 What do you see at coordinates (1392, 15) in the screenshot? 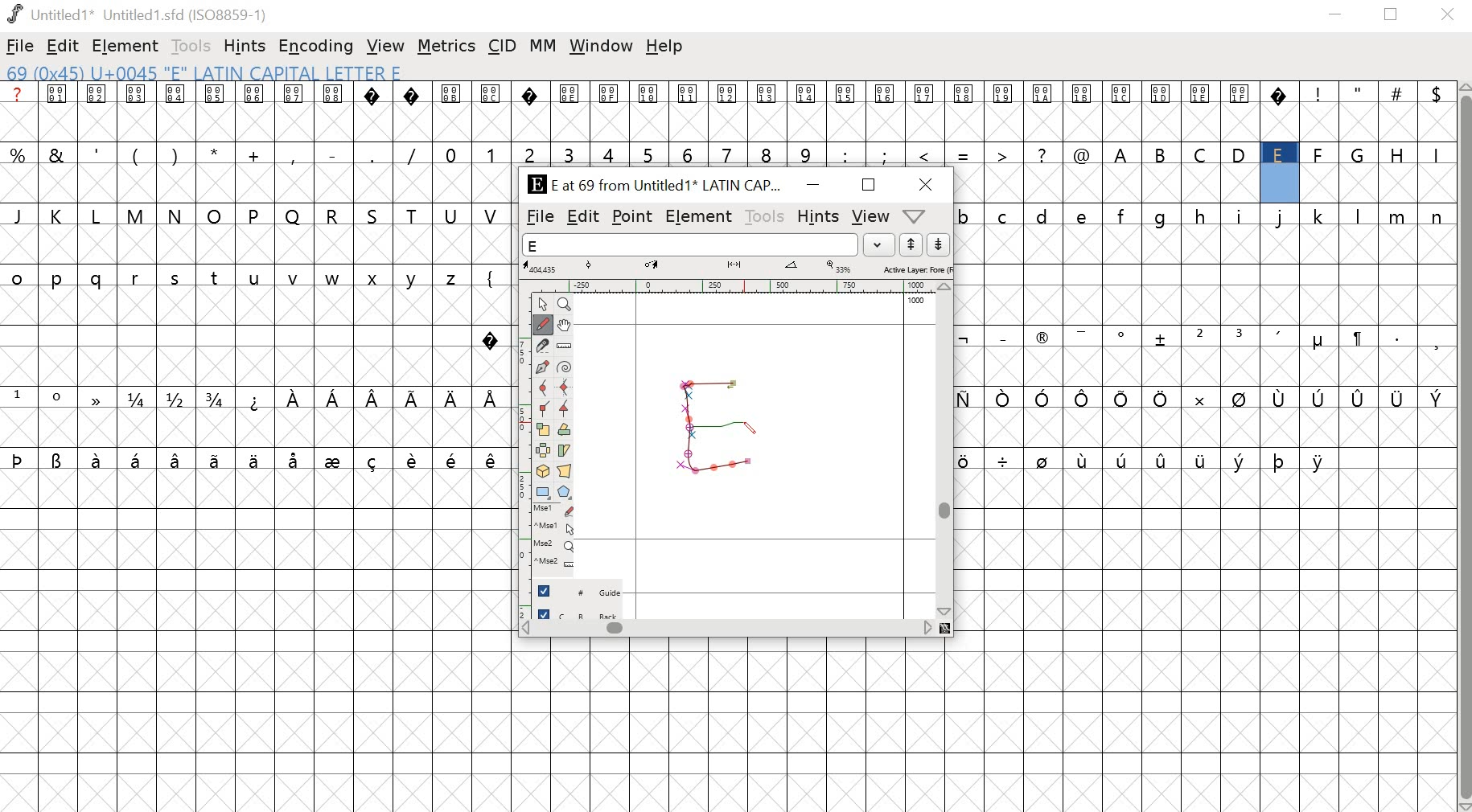
I see `restore down` at bounding box center [1392, 15].